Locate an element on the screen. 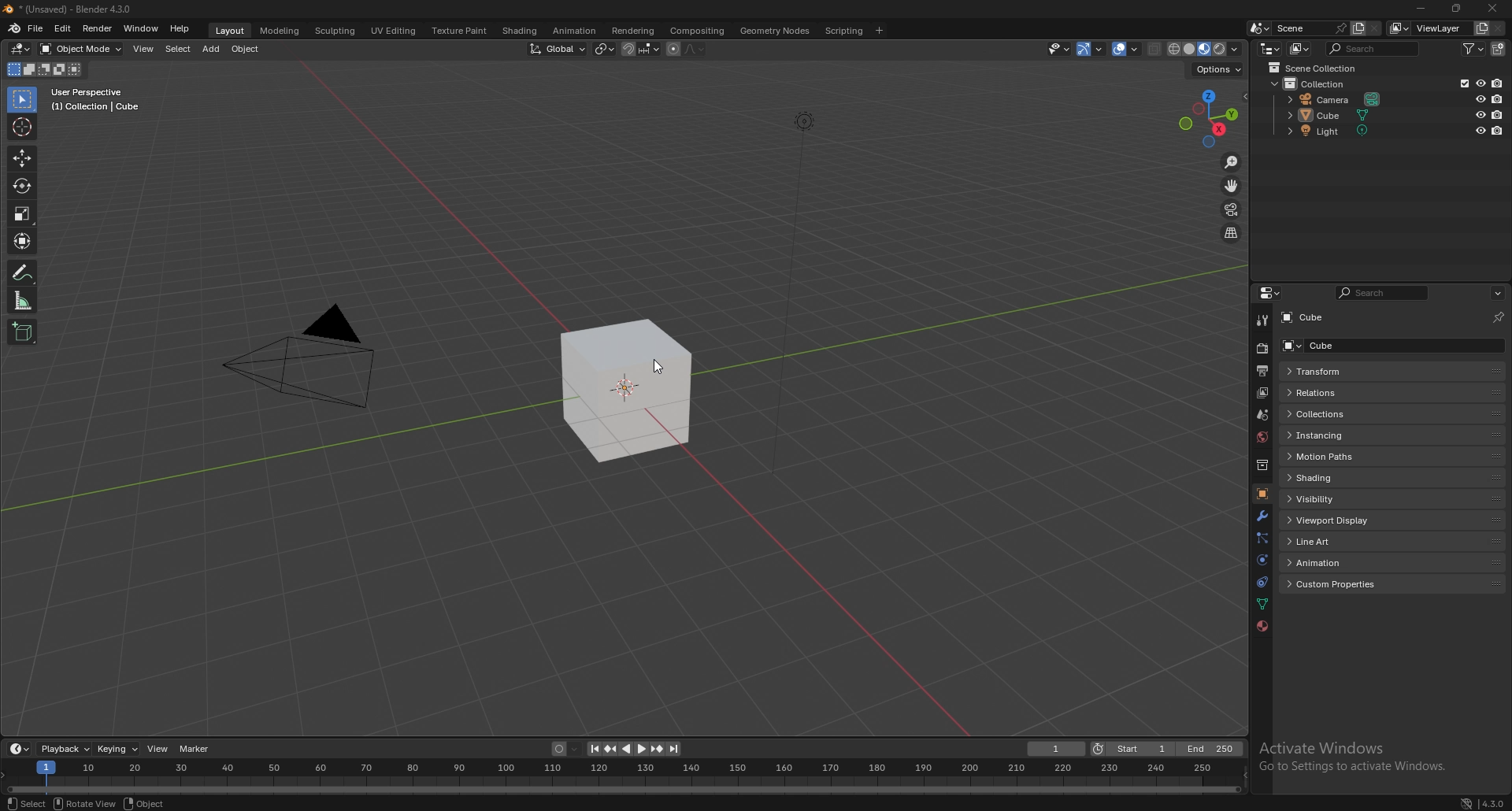 This screenshot has width=1512, height=811. cube is located at coordinates (627, 388).